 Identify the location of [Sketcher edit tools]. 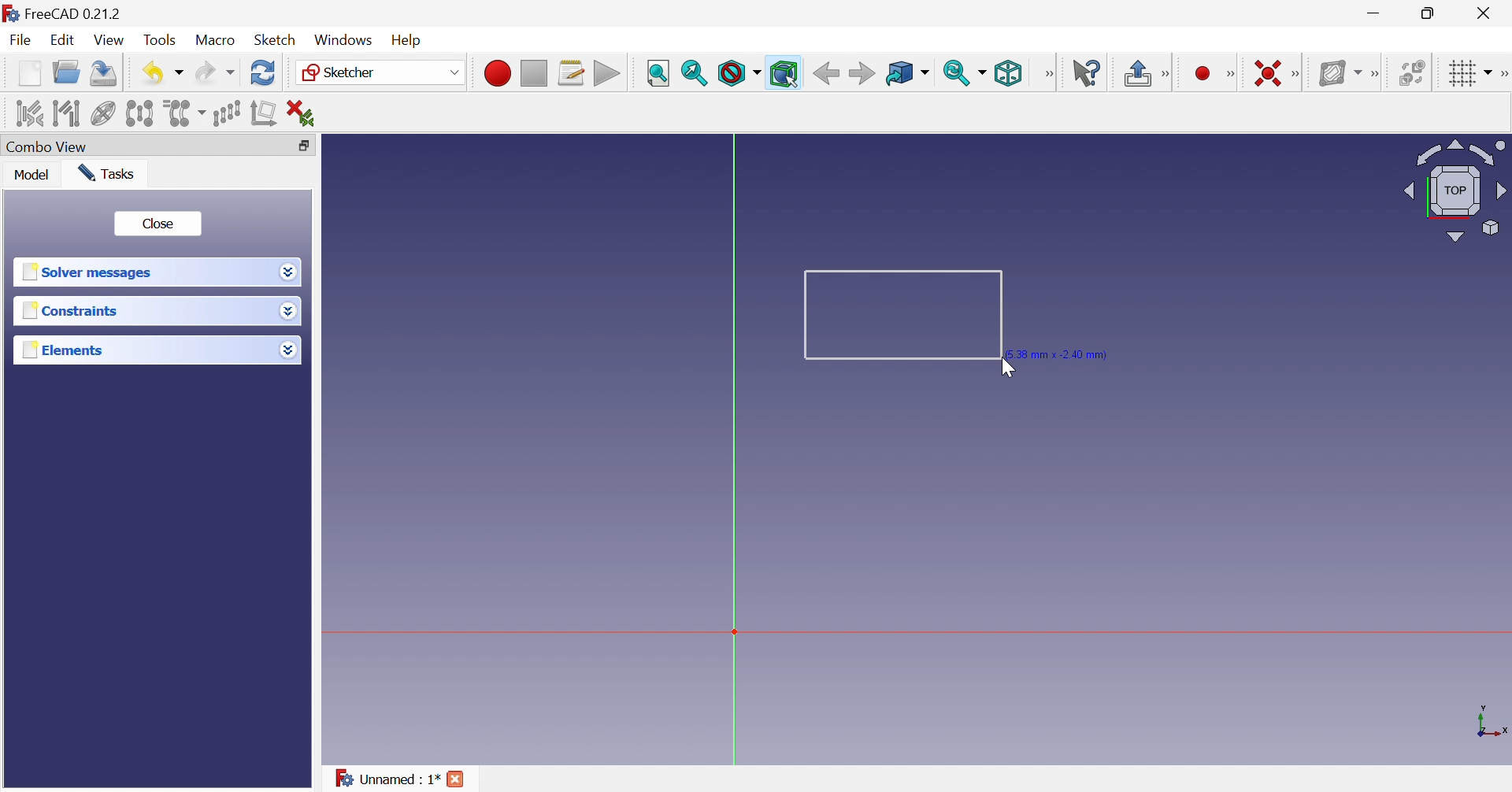
(1503, 73).